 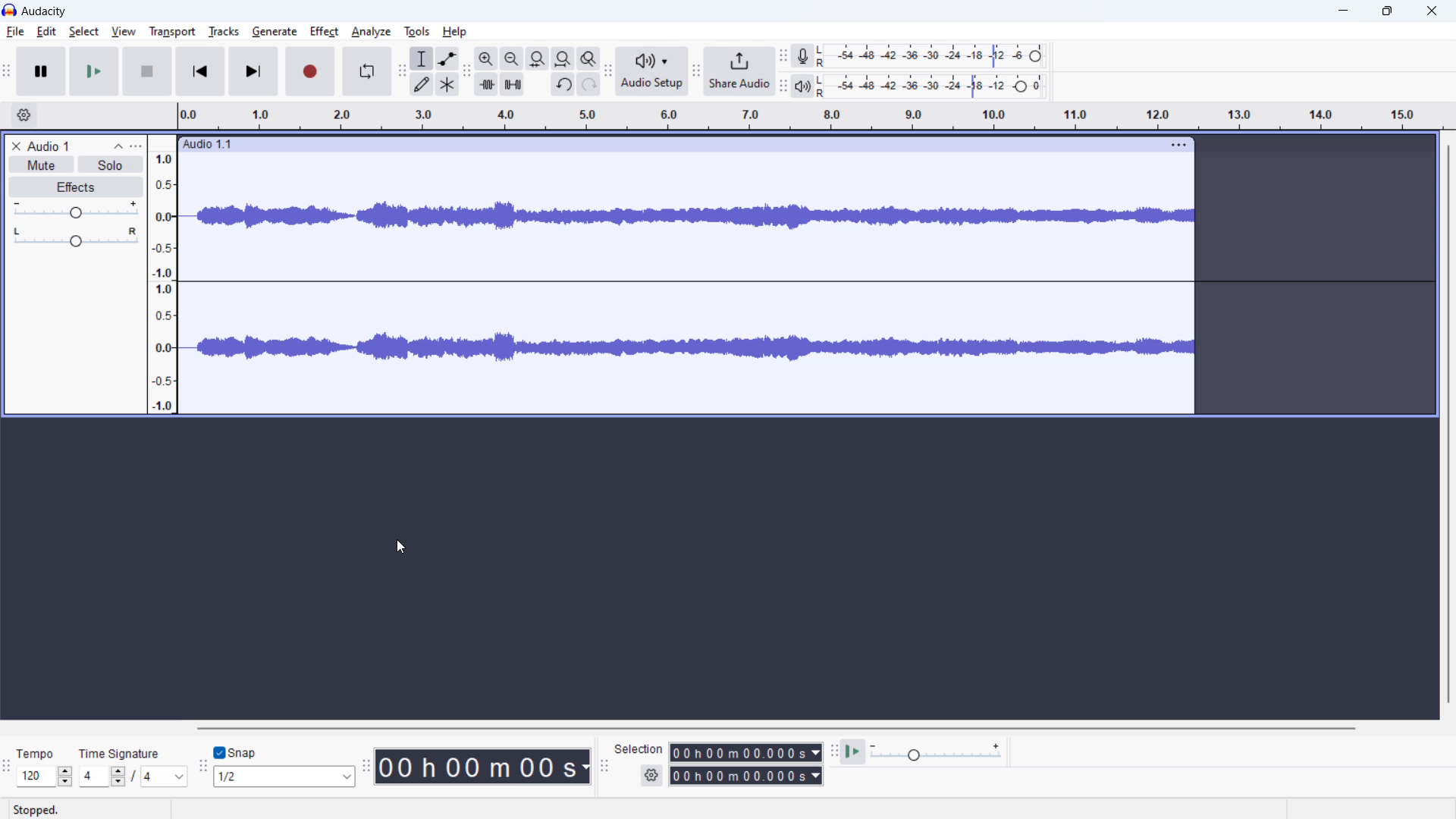 What do you see at coordinates (538, 58) in the screenshot?
I see `fit selection to width` at bounding box center [538, 58].